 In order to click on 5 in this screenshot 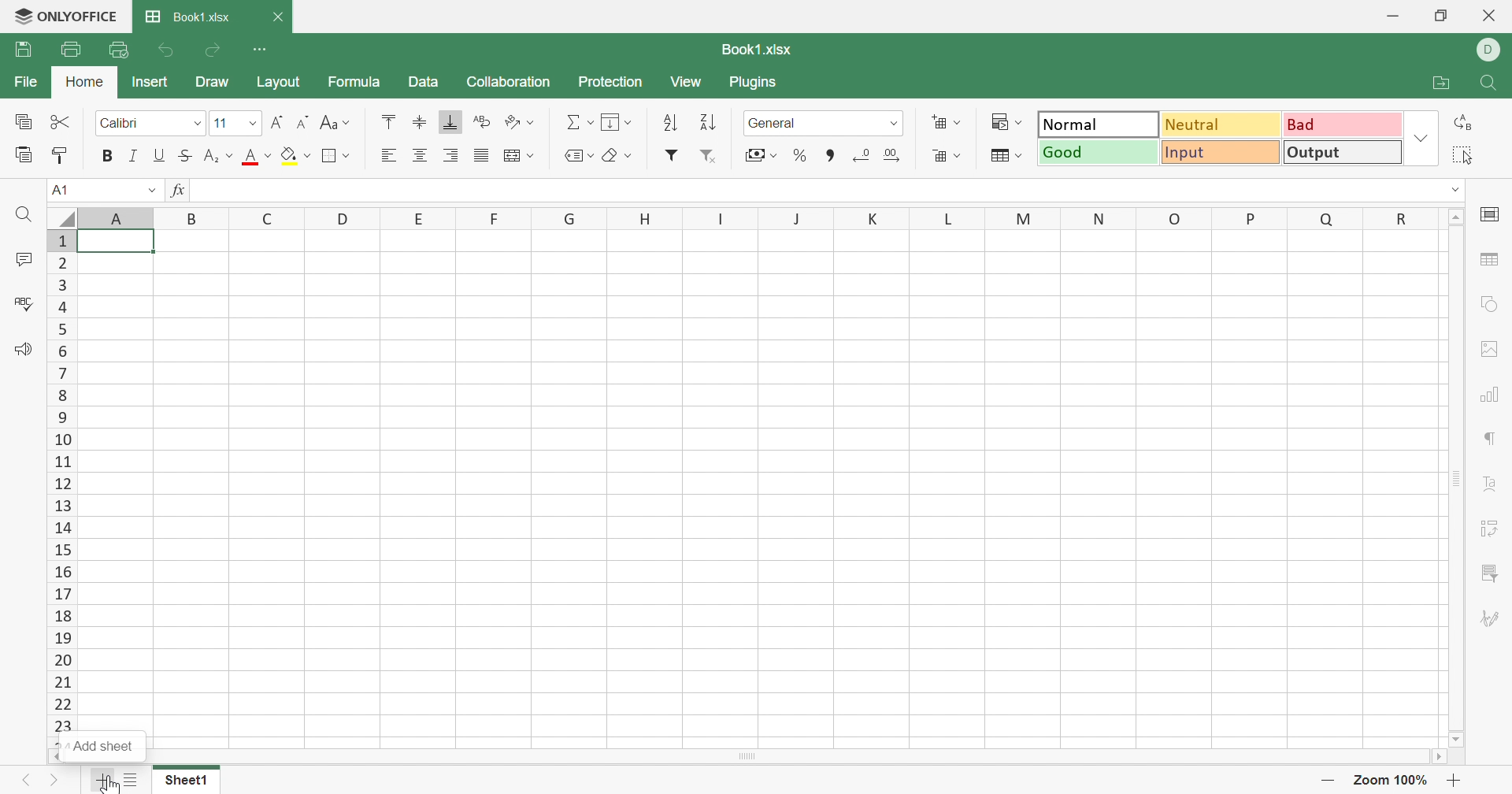, I will do `click(65, 331)`.